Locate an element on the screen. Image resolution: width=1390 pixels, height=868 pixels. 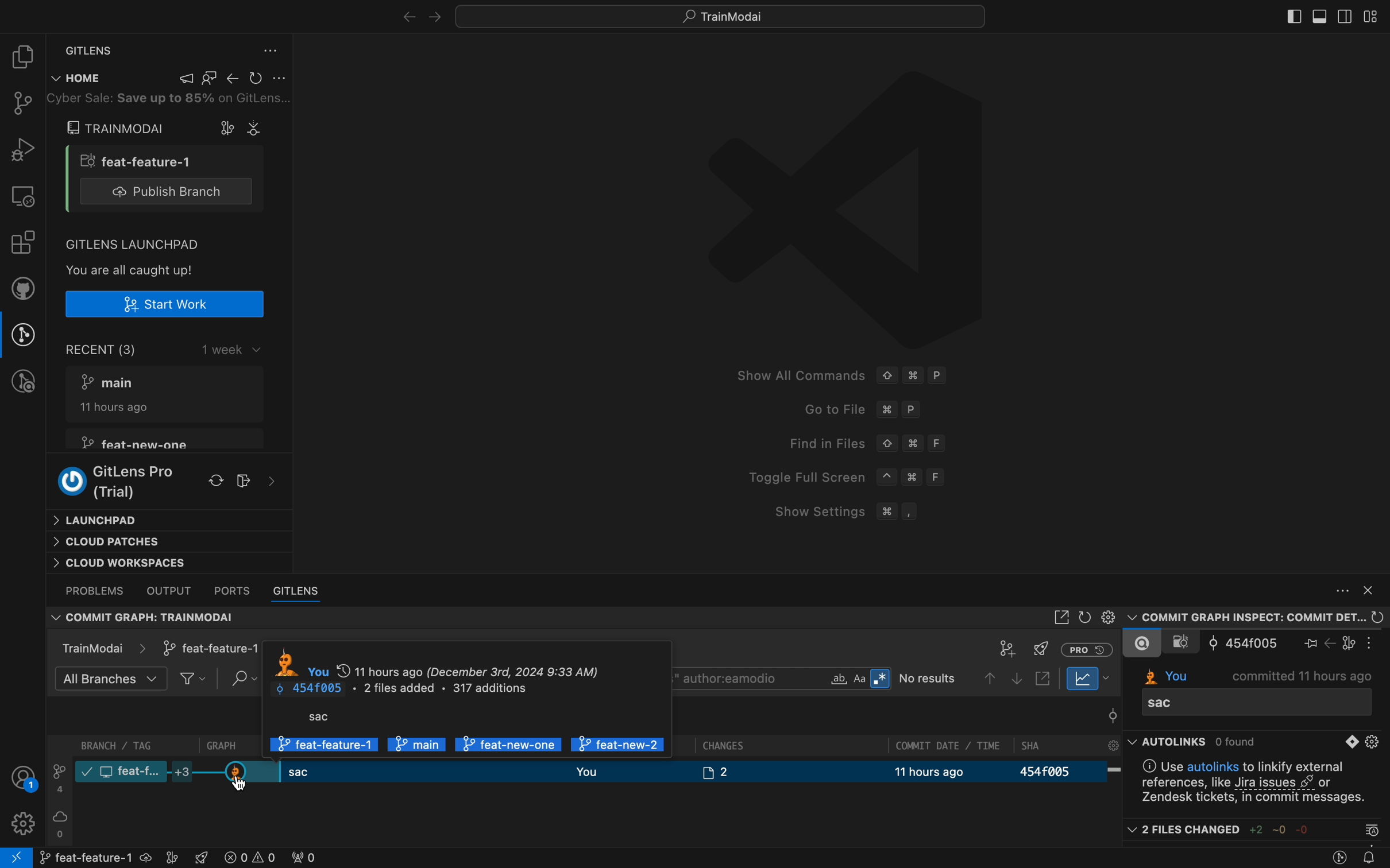
All branches is located at coordinates (106, 680).